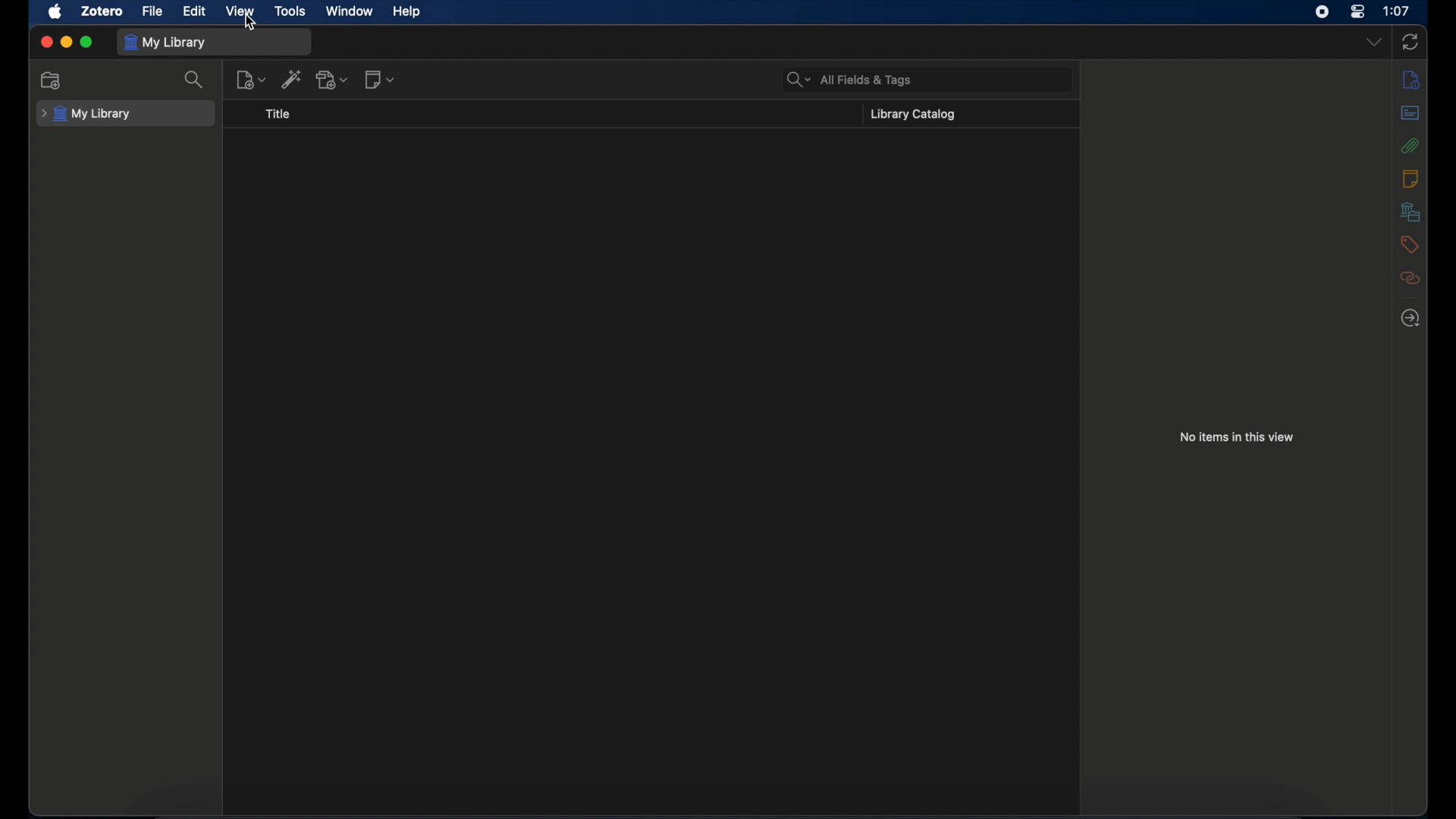 The height and width of the screenshot is (819, 1456). What do you see at coordinates (1410, 113) in the screenshot?
I see `abstract` at bounding box center [1410, 113].